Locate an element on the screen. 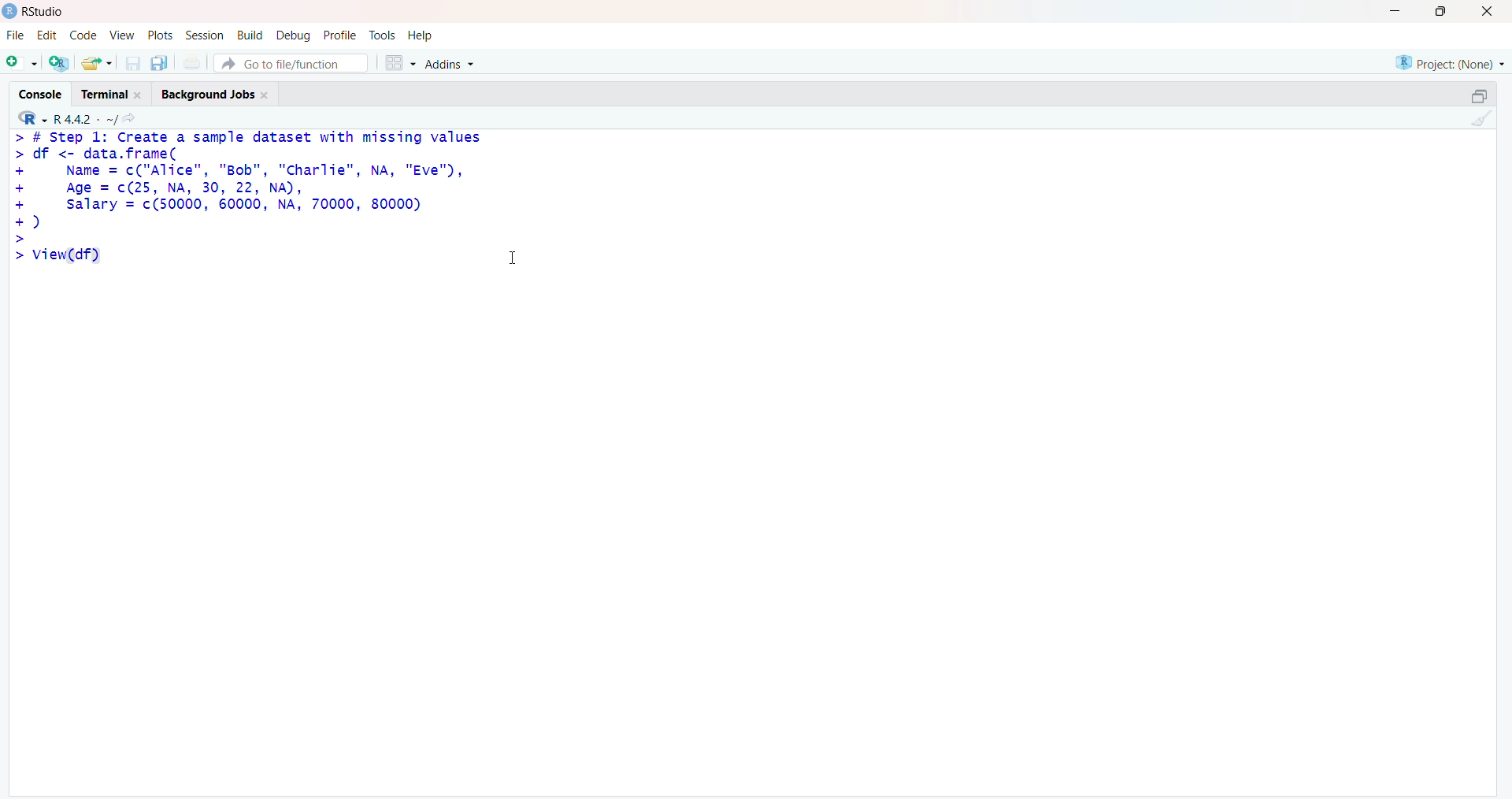 Image resolution: width=1512 pixels, height=799 pixels. File is located at coordinates (16, 35).